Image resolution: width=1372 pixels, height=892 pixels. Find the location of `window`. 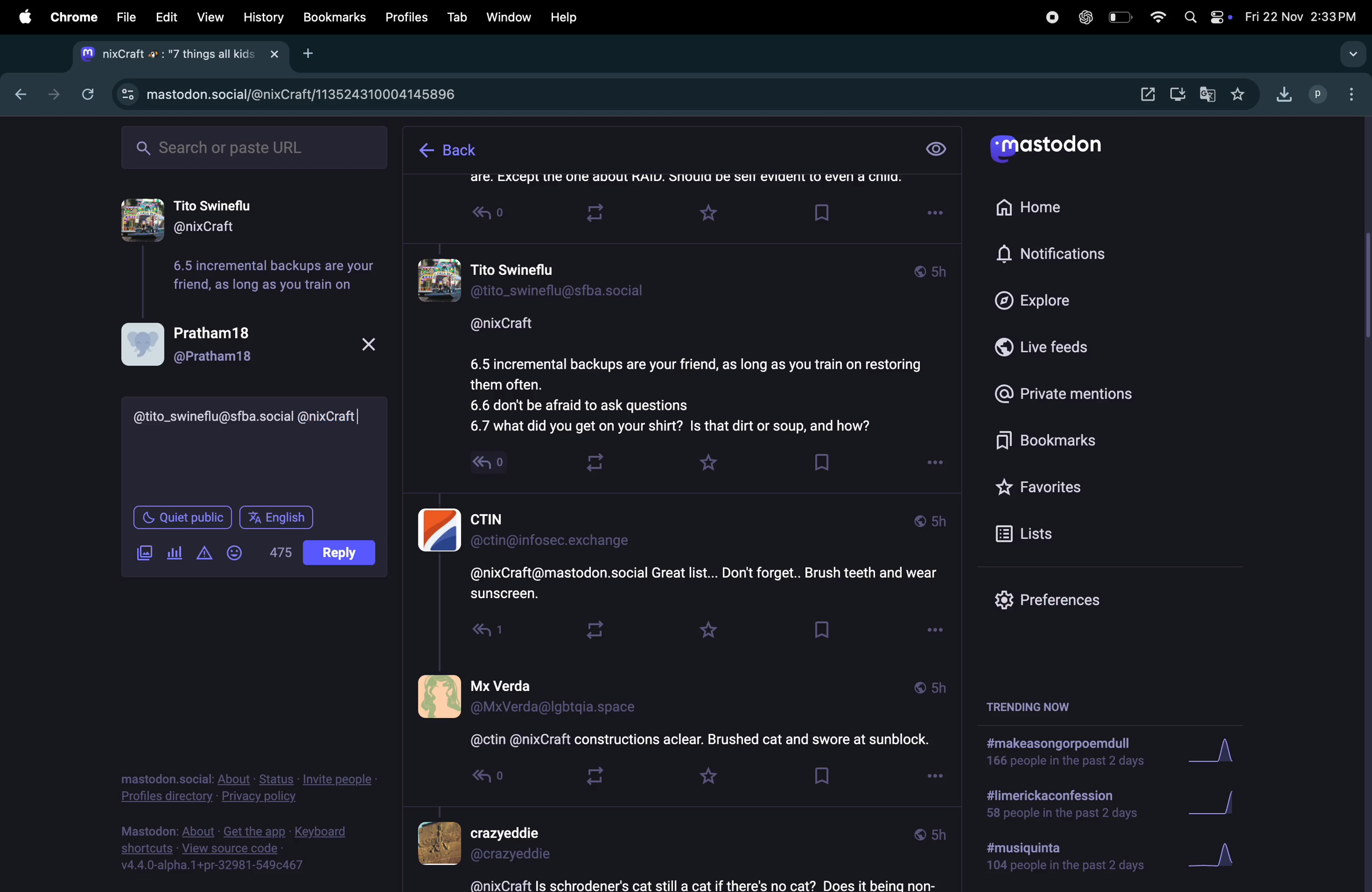

window is located at coordinates (510, 14).